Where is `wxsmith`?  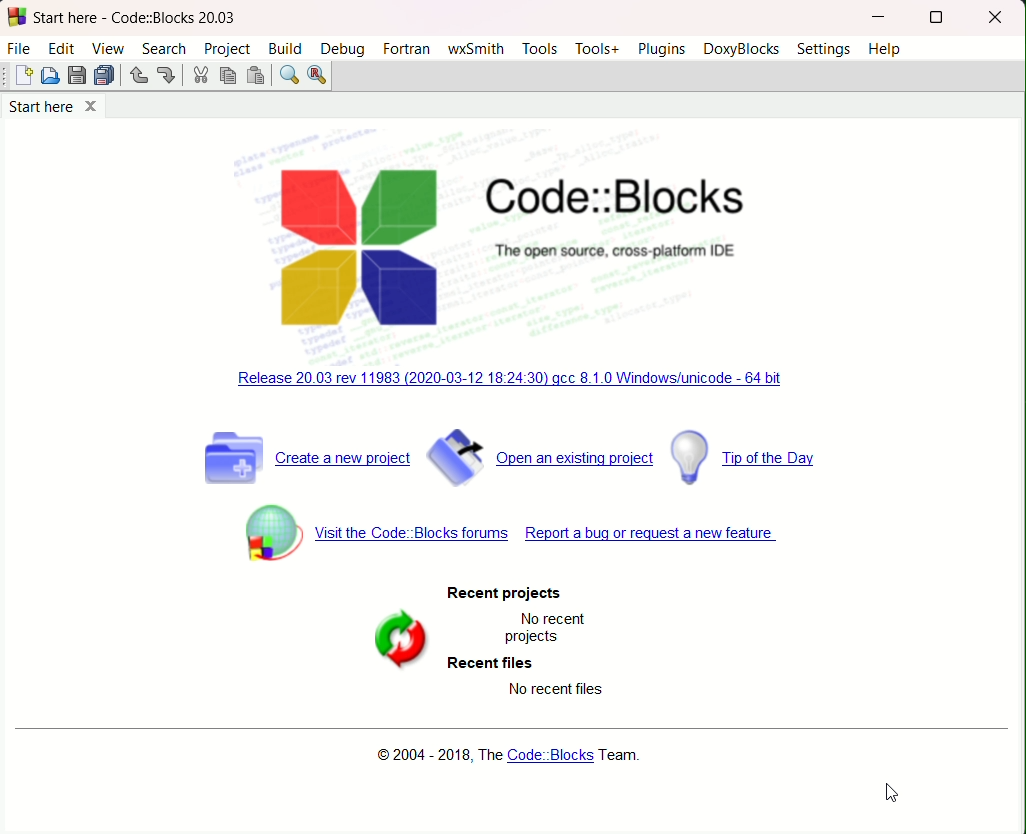 wxsmith is located at coordinates (477, 49).